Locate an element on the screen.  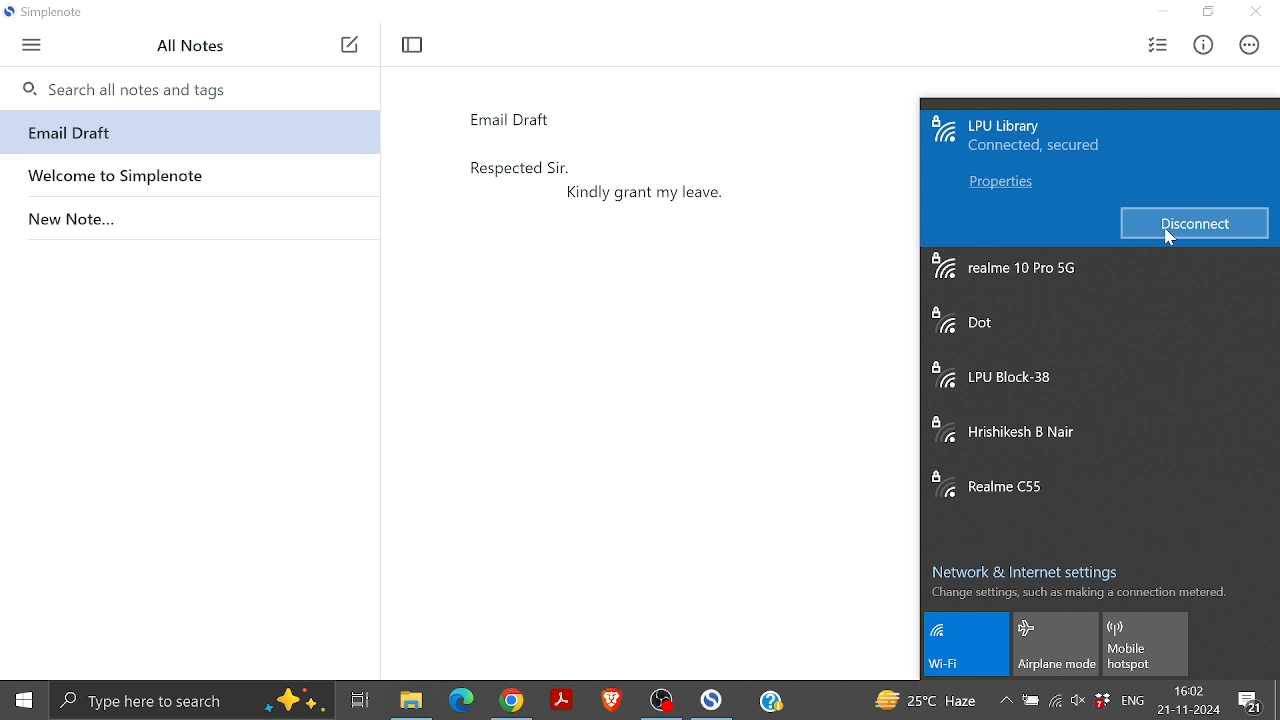
Language is located at coordinates (1136, 702).